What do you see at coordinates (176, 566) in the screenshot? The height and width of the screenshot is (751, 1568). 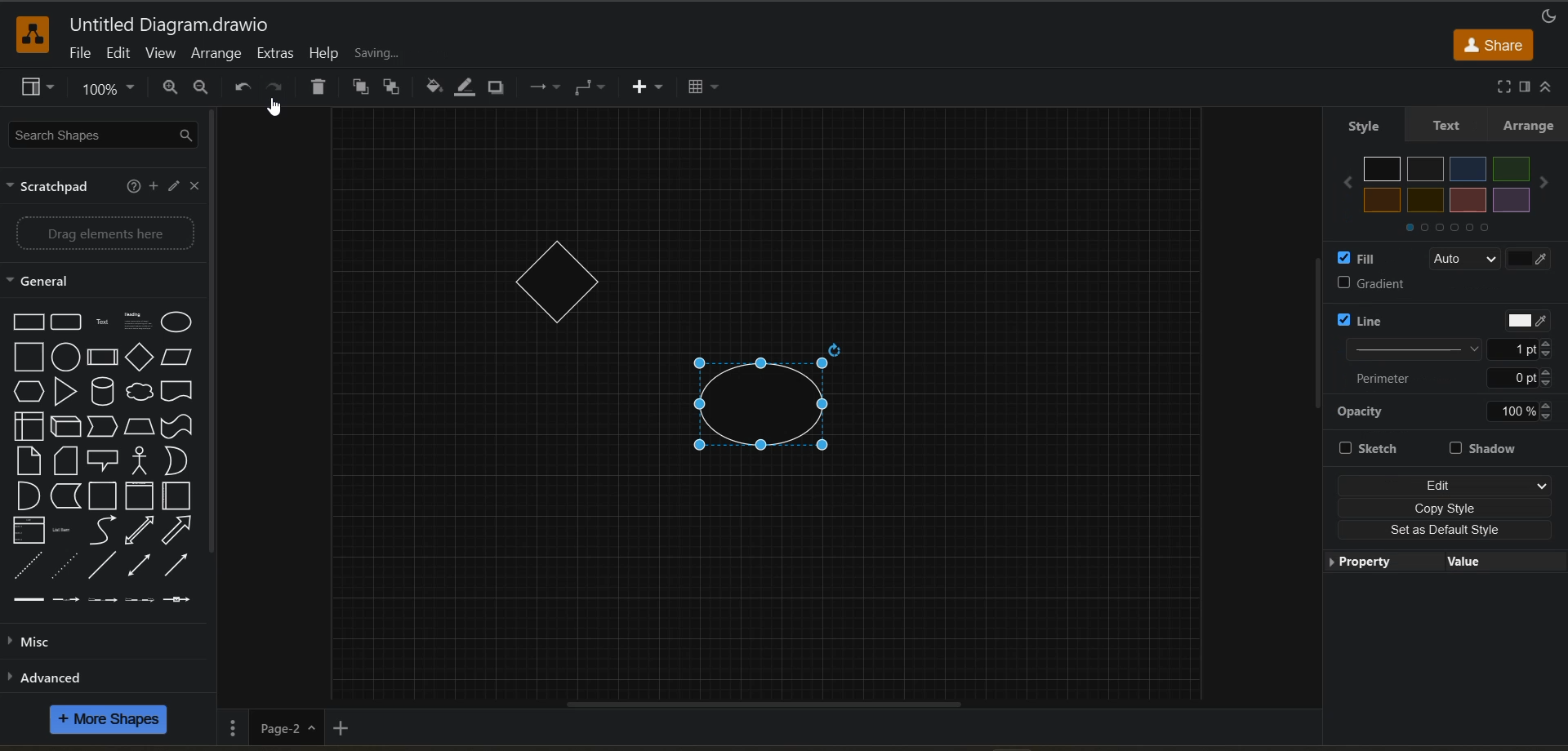 I see `directional connector` at bounding box center [176, 566].